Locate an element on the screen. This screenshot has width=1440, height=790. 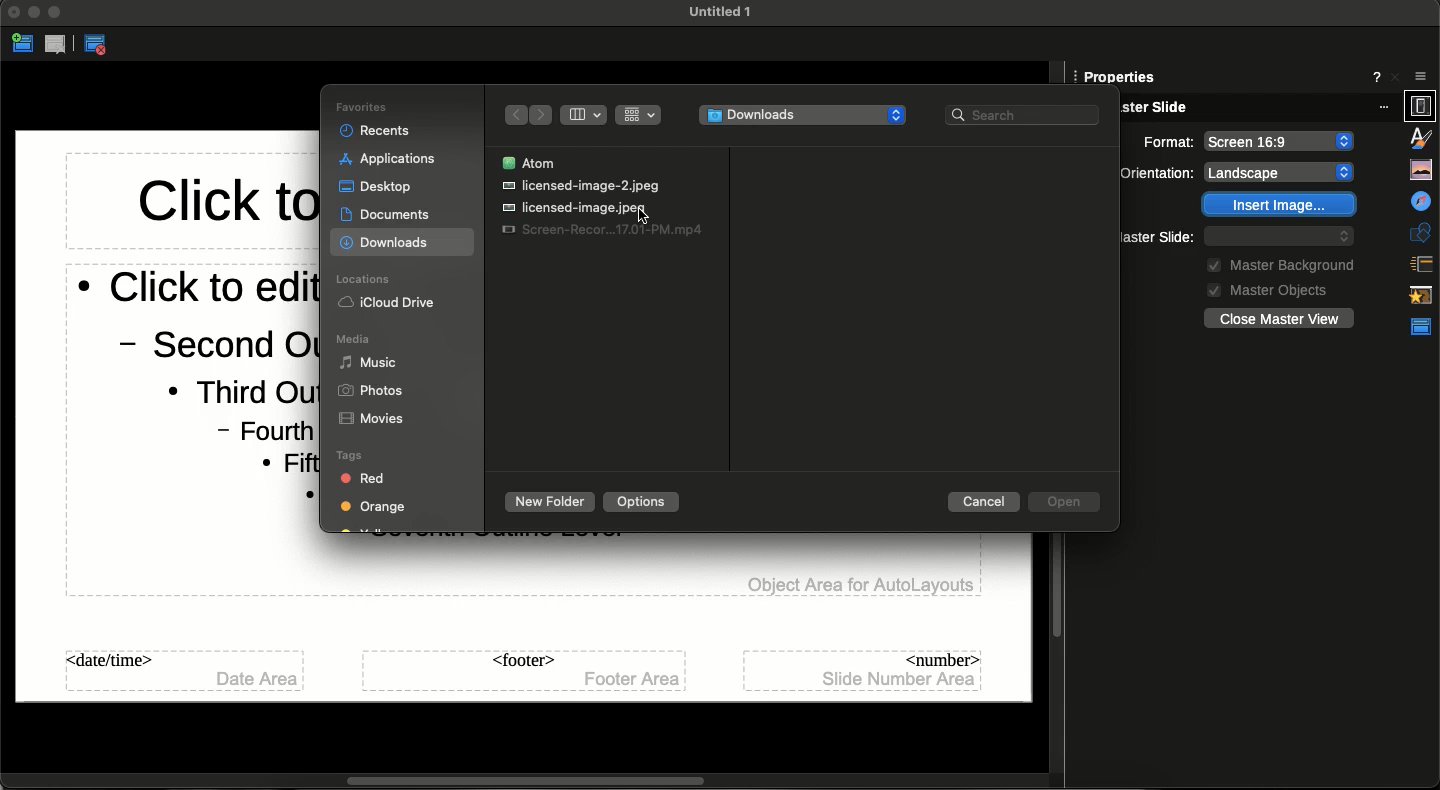
Music is located at coordinates (366, 365).